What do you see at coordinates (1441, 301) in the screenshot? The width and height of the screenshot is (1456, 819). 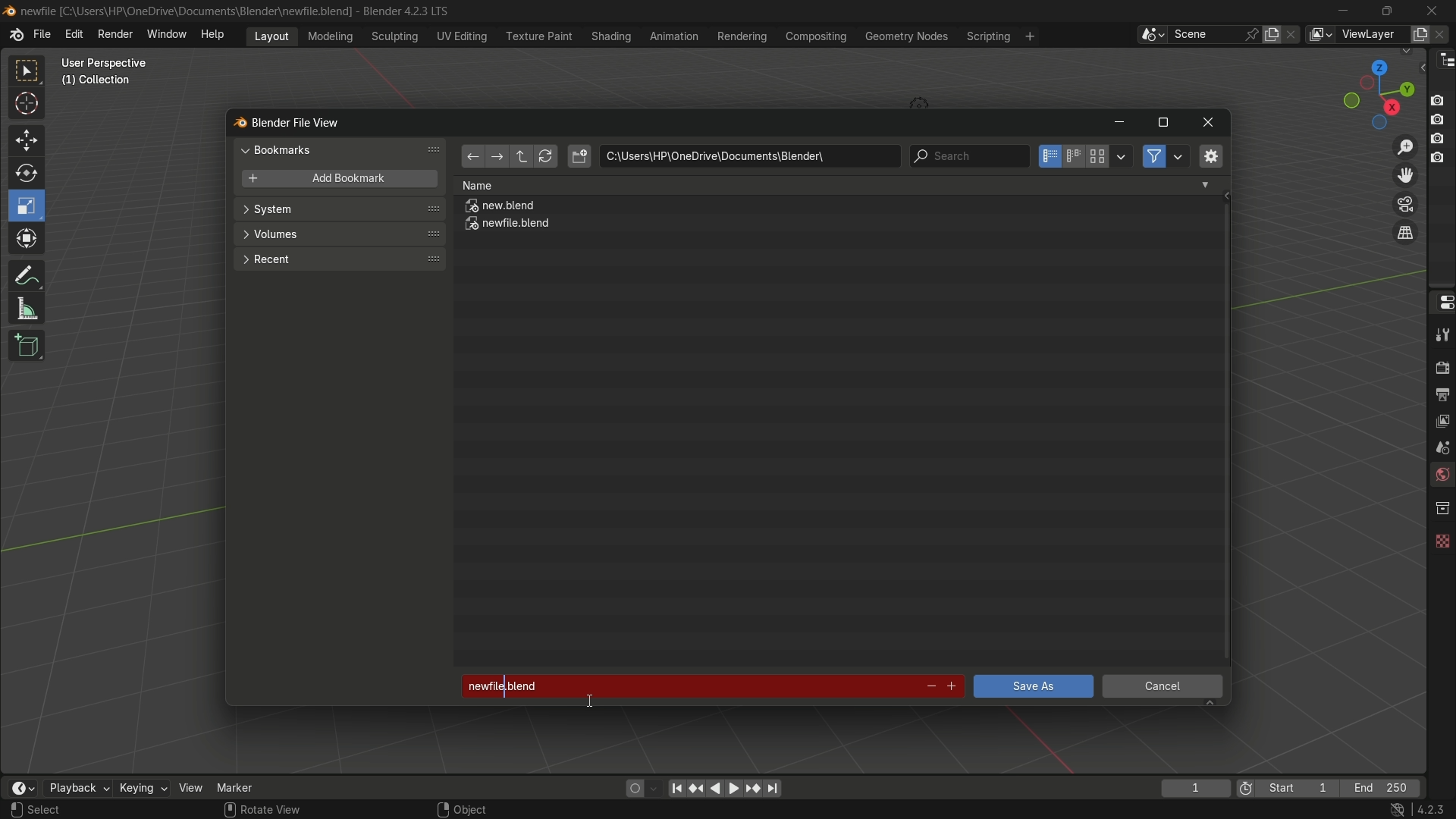 I see `properties` at bounding box center [1441, 301].